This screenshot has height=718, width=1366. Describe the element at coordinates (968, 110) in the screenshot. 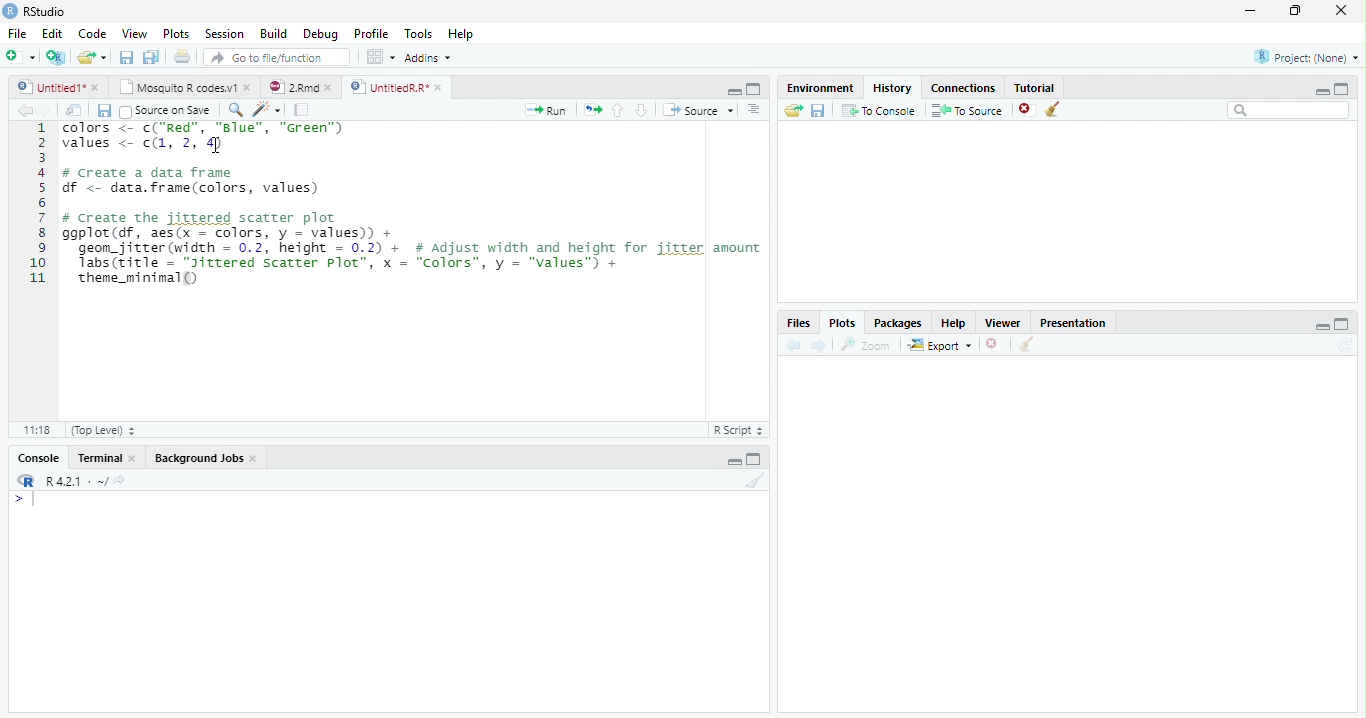

I see `To Source` at that location.